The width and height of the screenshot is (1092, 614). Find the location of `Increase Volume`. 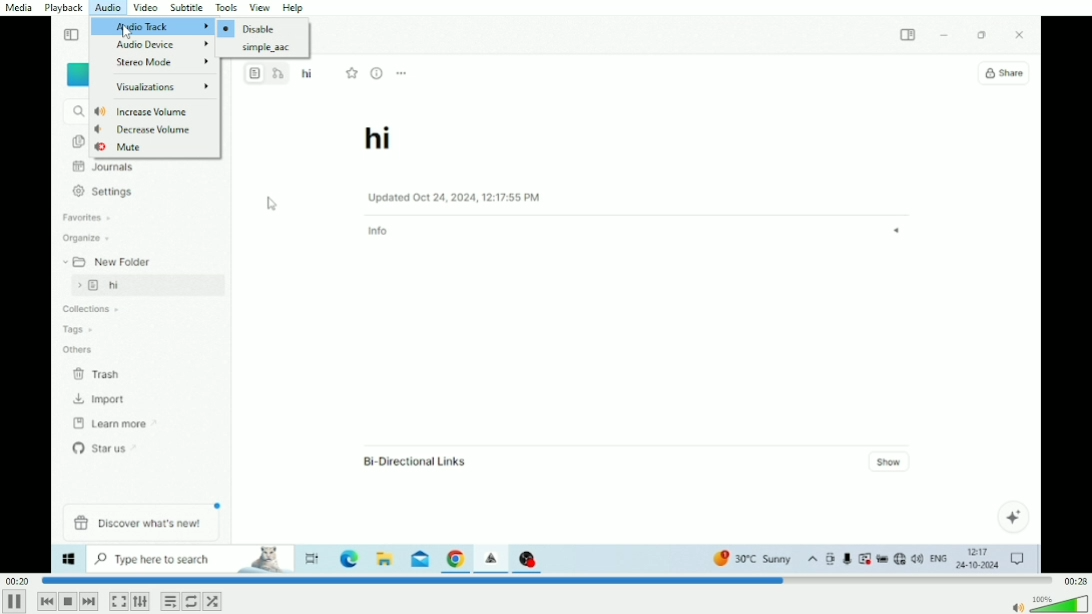

Increase Volume is located at coordinates (141, 112).